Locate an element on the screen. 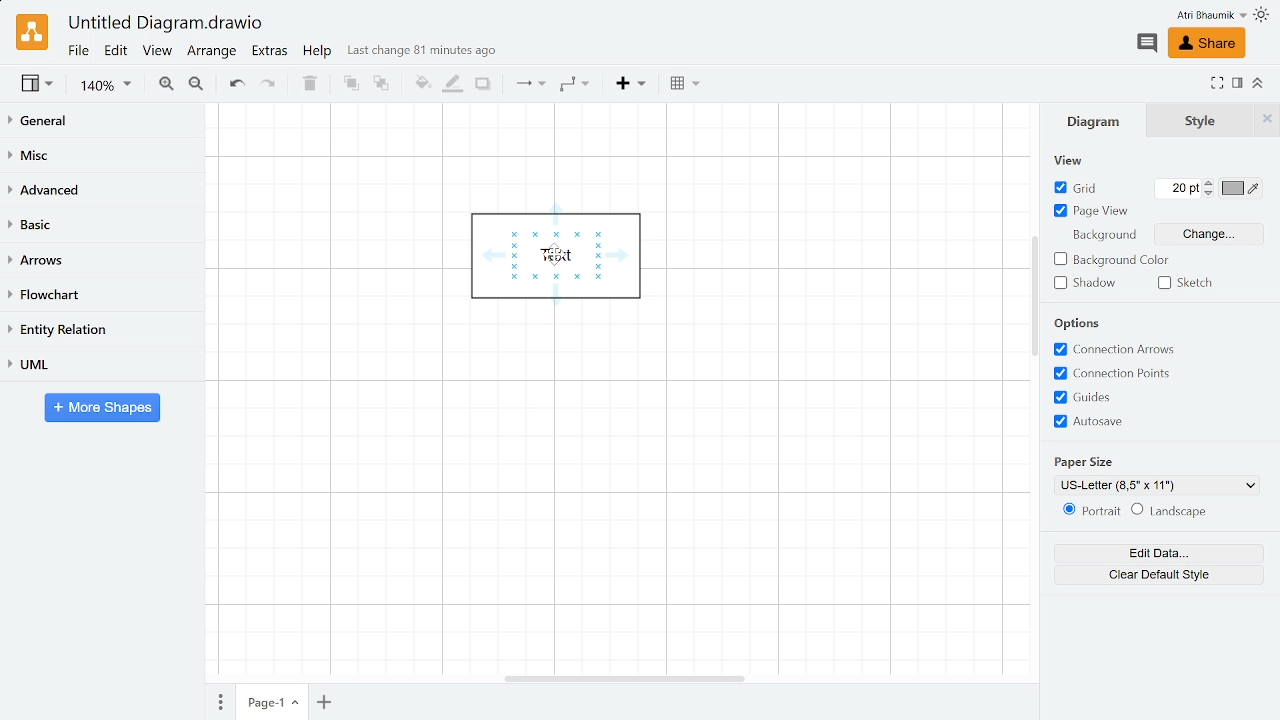  Fill color is located at coordinates (419, 84).